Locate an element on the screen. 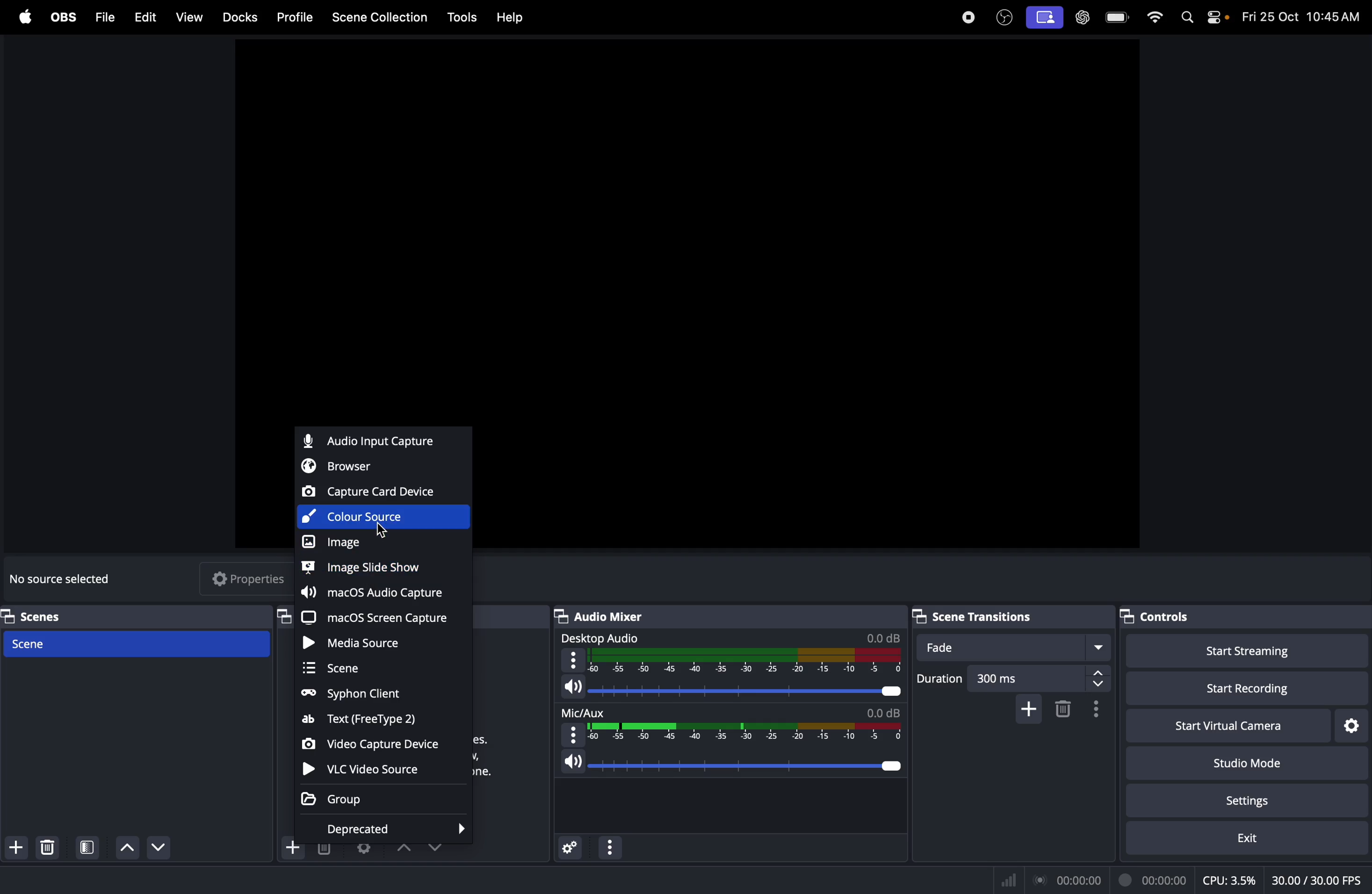  view is located at coordinates (186, 16).